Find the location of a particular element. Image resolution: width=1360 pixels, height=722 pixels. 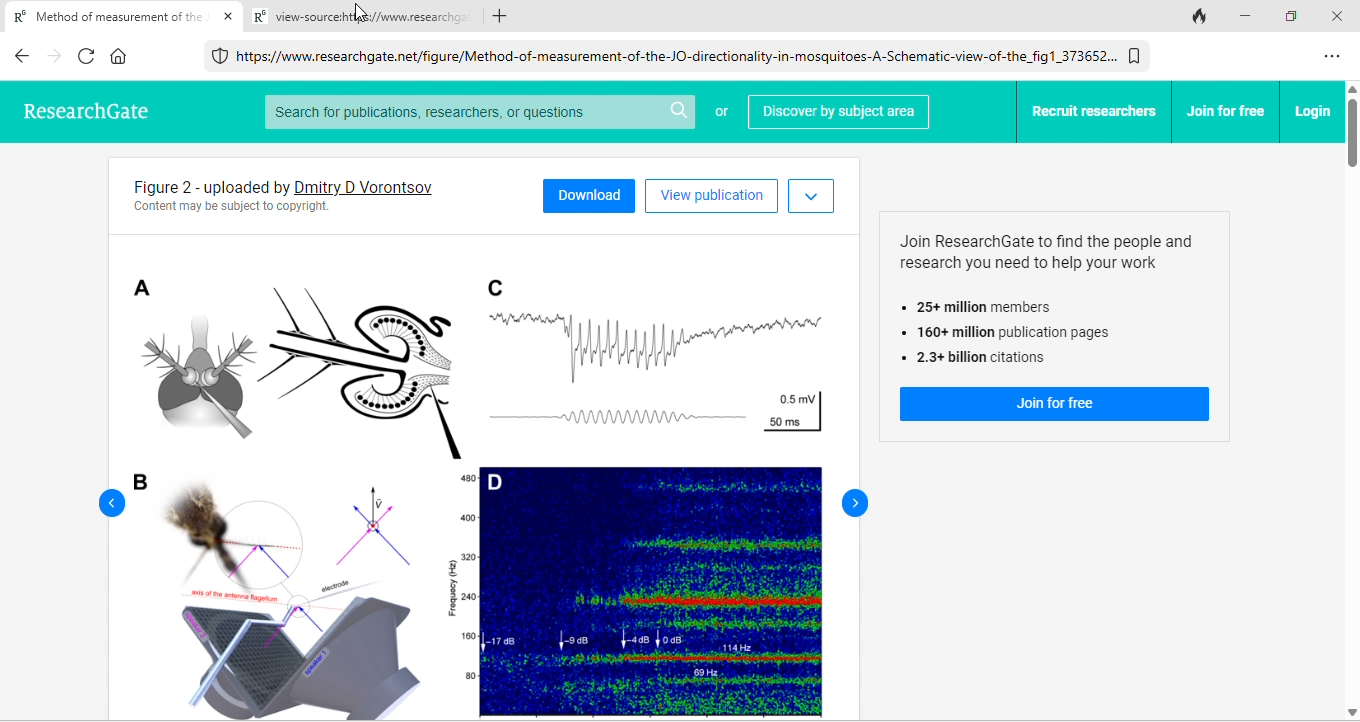

back is located at coordinates (21, 59).